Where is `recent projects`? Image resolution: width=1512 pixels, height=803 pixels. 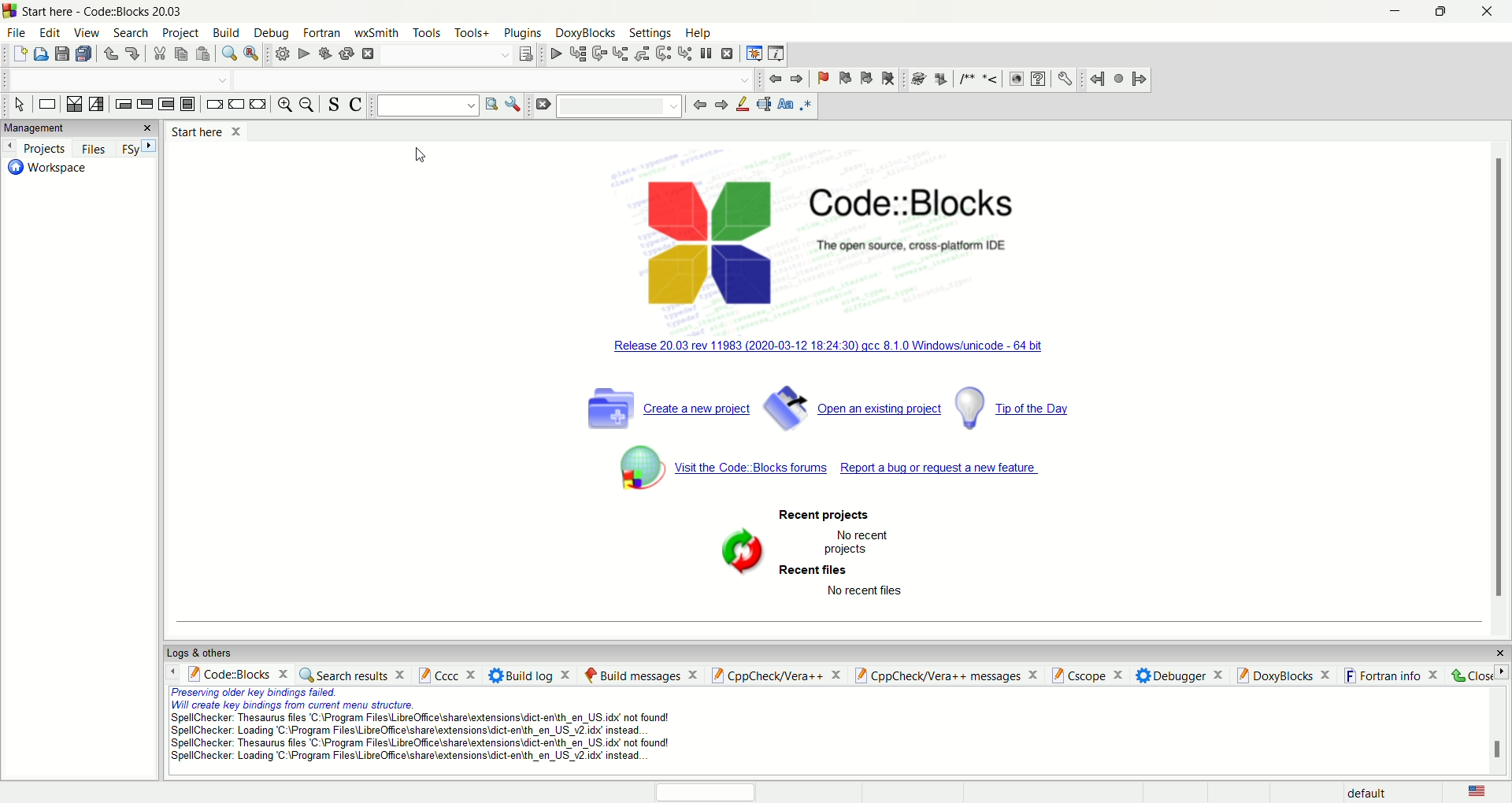
recent projects is located at coordinates (828, 515).